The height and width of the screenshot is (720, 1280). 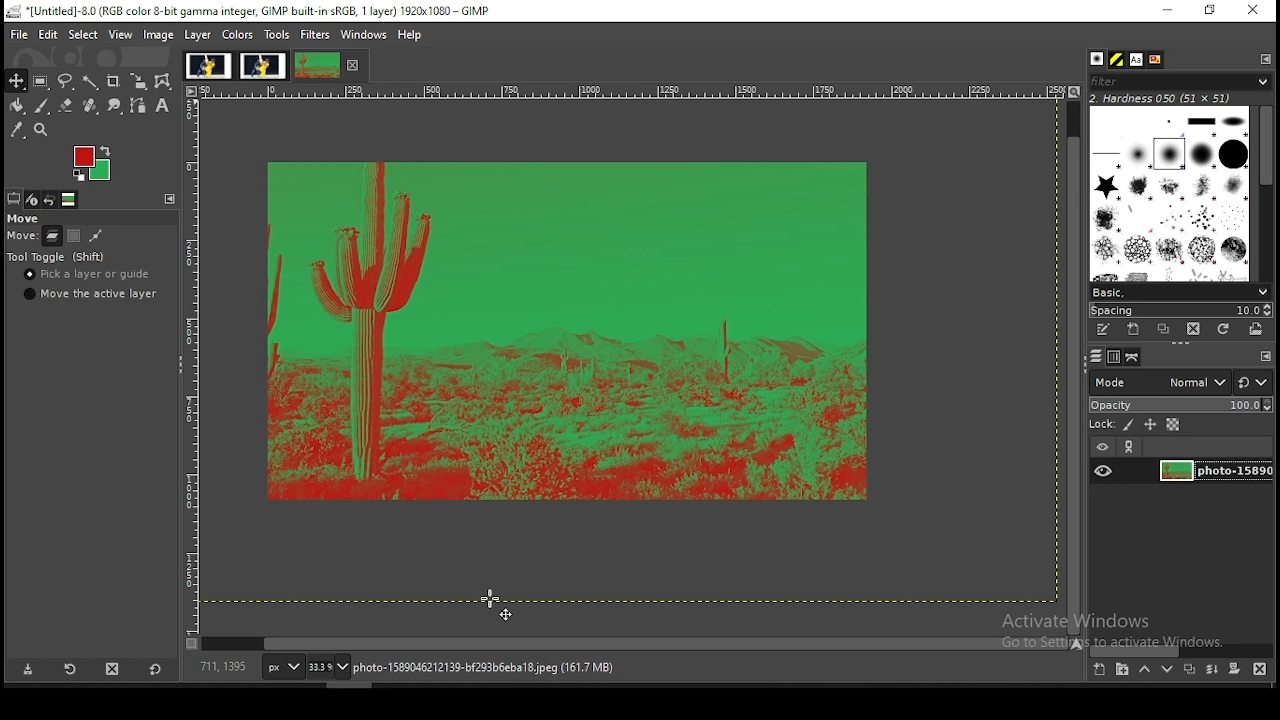 I want to click on move the active layer, so click(x=94, y=293).